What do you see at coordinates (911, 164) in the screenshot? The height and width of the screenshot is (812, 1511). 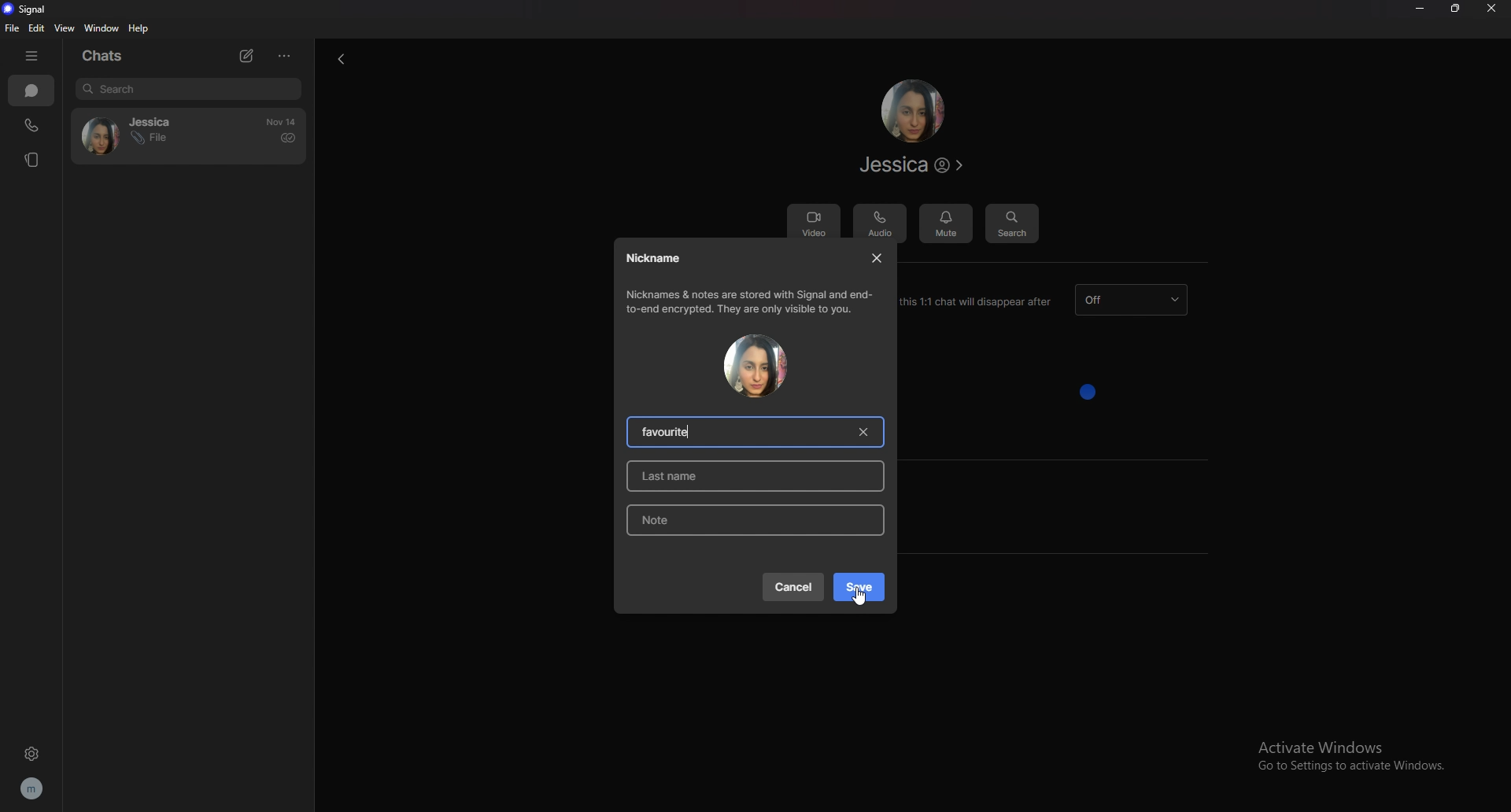 I see `contact info` at bounding box center [911, 164].